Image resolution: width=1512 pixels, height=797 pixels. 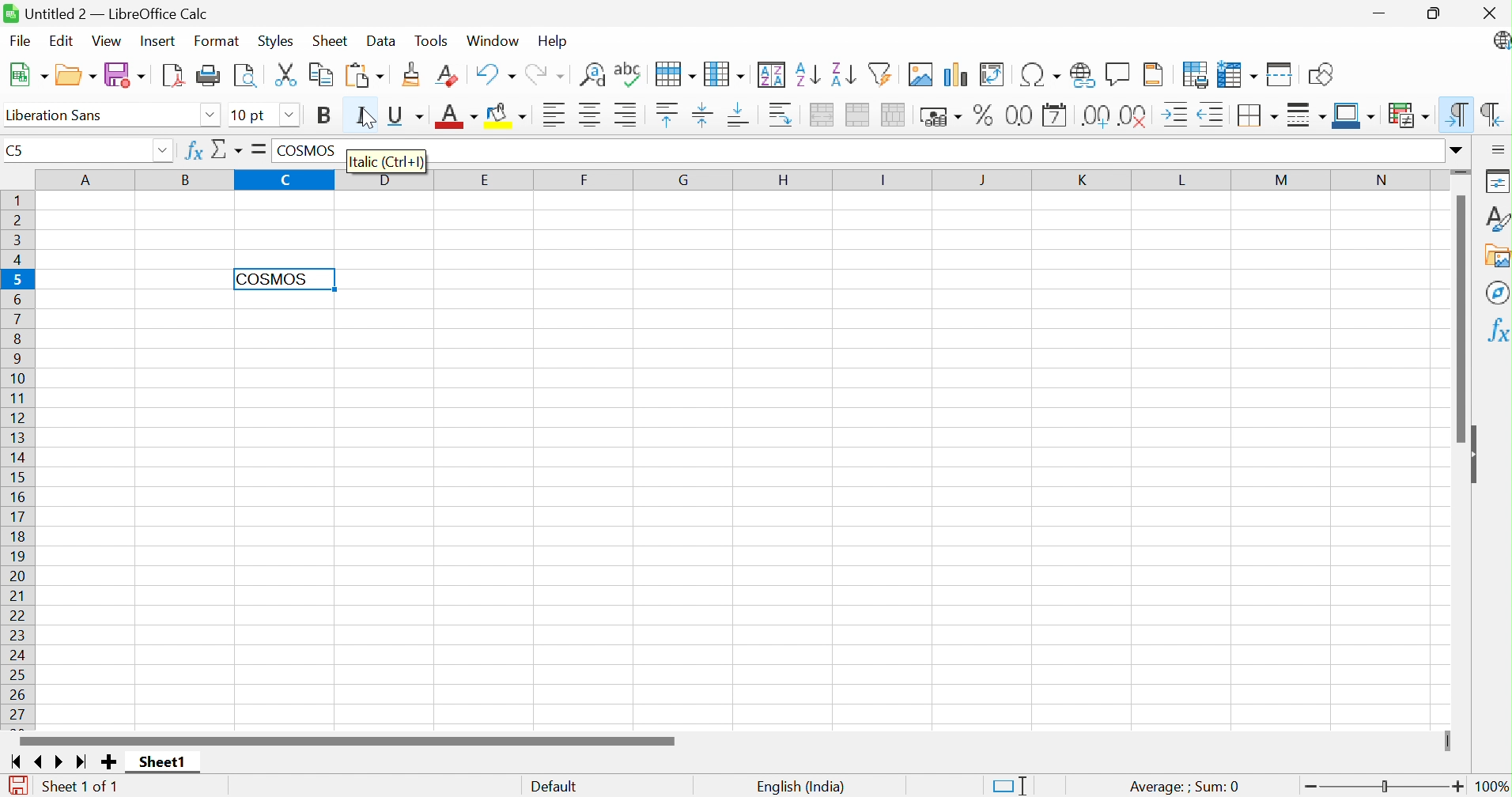 I want to click on Column names, so click(x=736, y=179).